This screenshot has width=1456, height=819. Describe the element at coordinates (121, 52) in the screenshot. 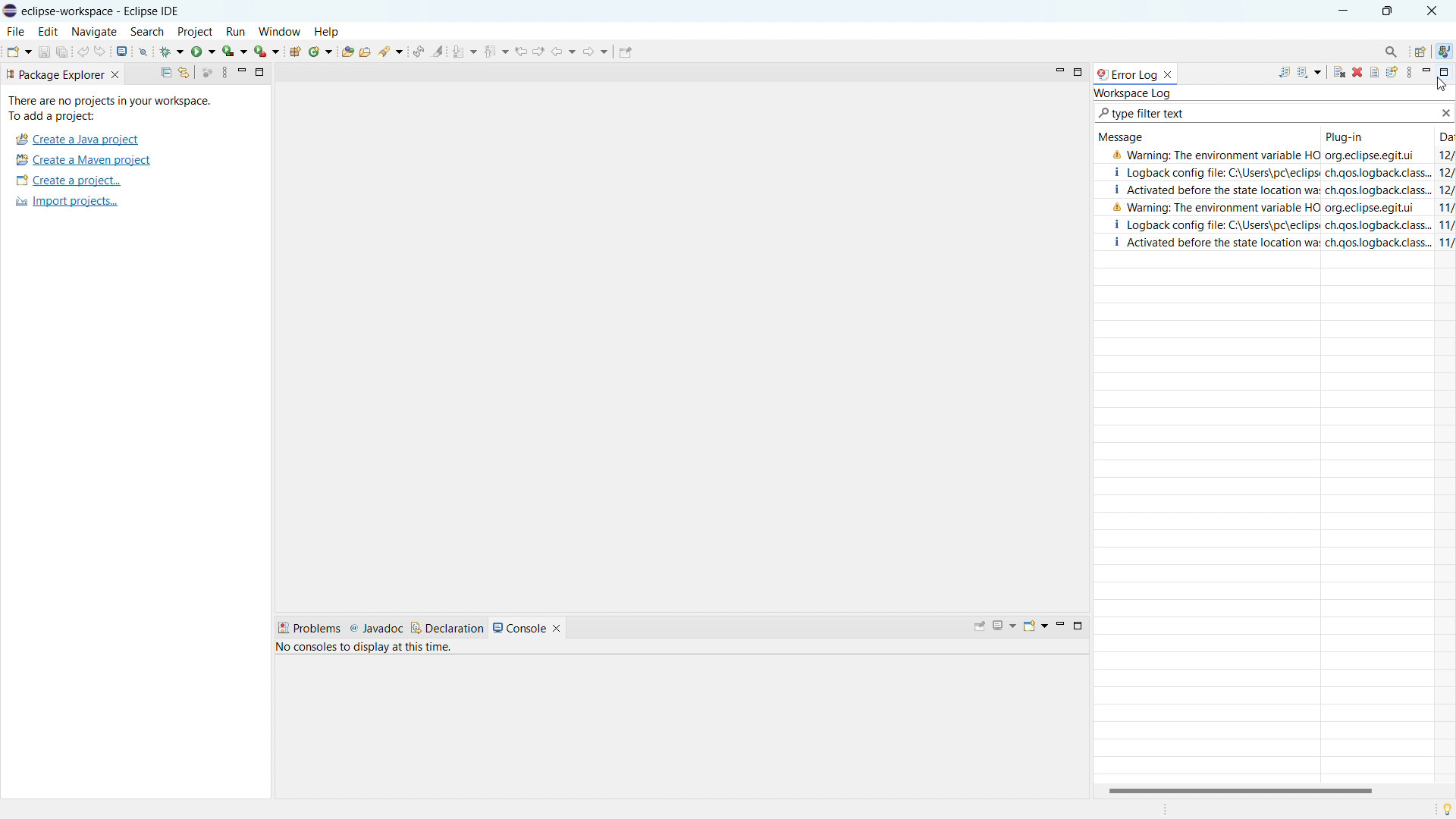

I see `open console` at that location.